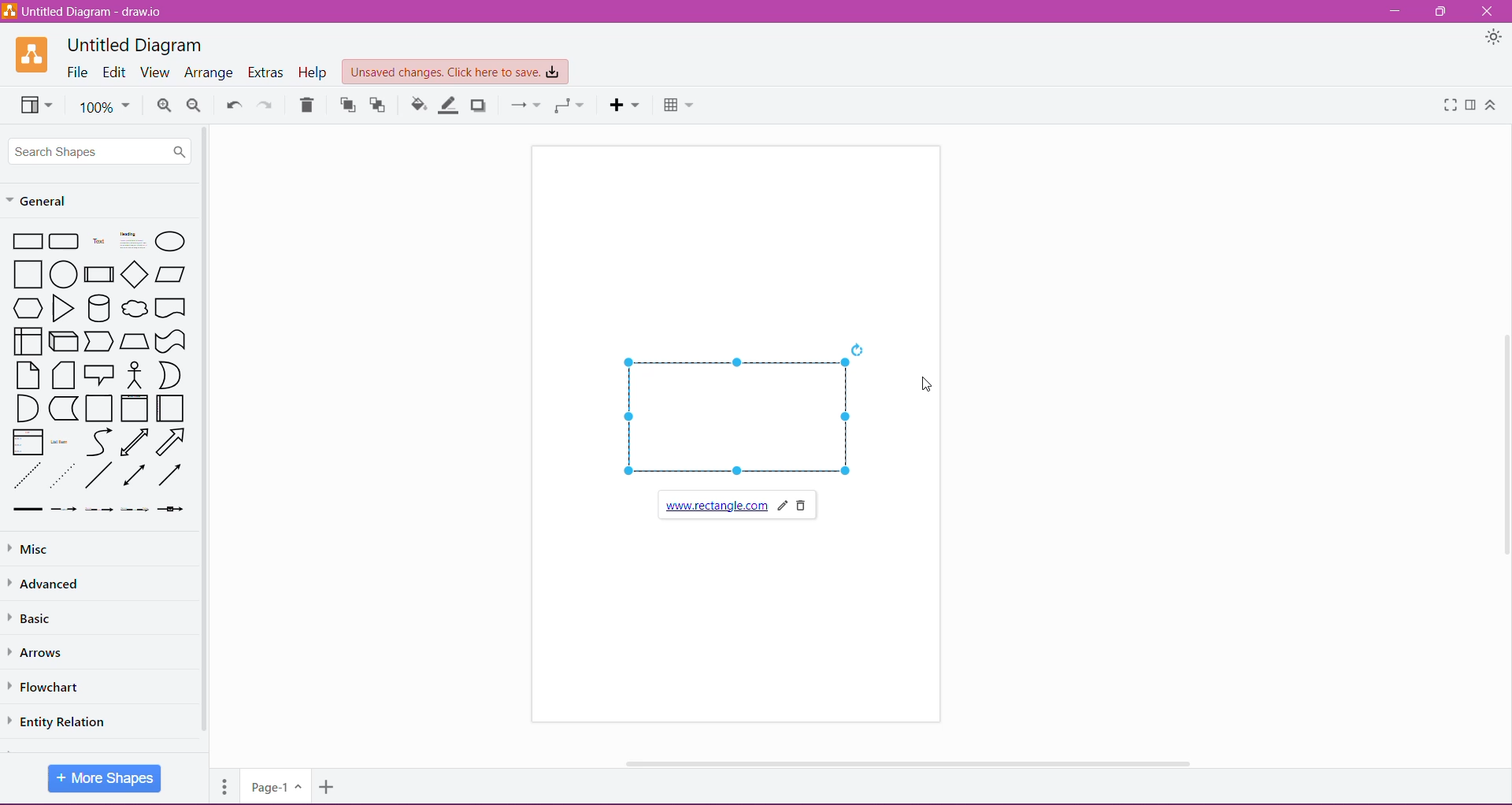 The height and width of the screenshot is (805, 1512). What do you see at coordinates (308, 105) in the screenshot?
I see `Delete` at bounding box center [308, 105].